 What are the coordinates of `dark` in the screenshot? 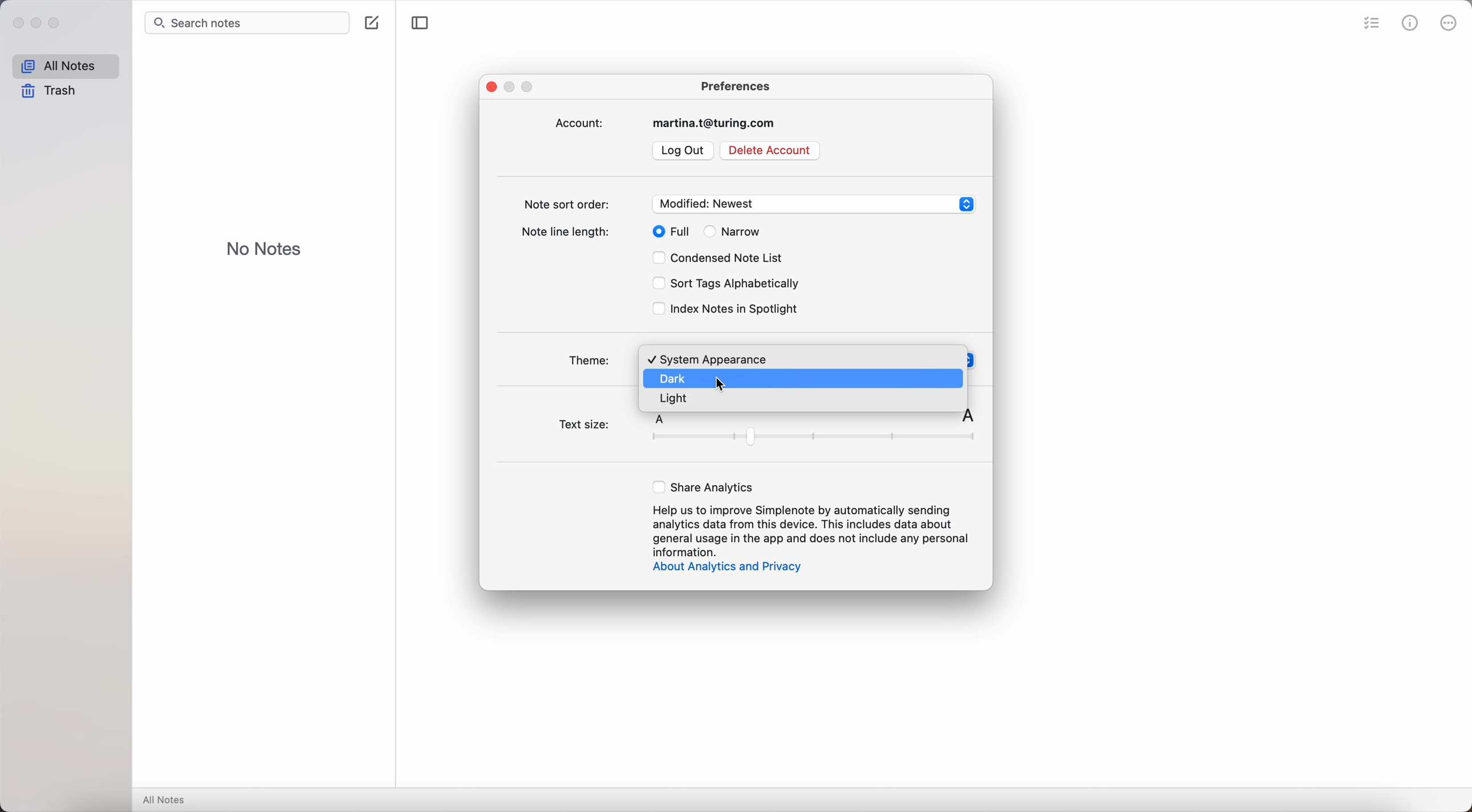 It's located at (675, 378).